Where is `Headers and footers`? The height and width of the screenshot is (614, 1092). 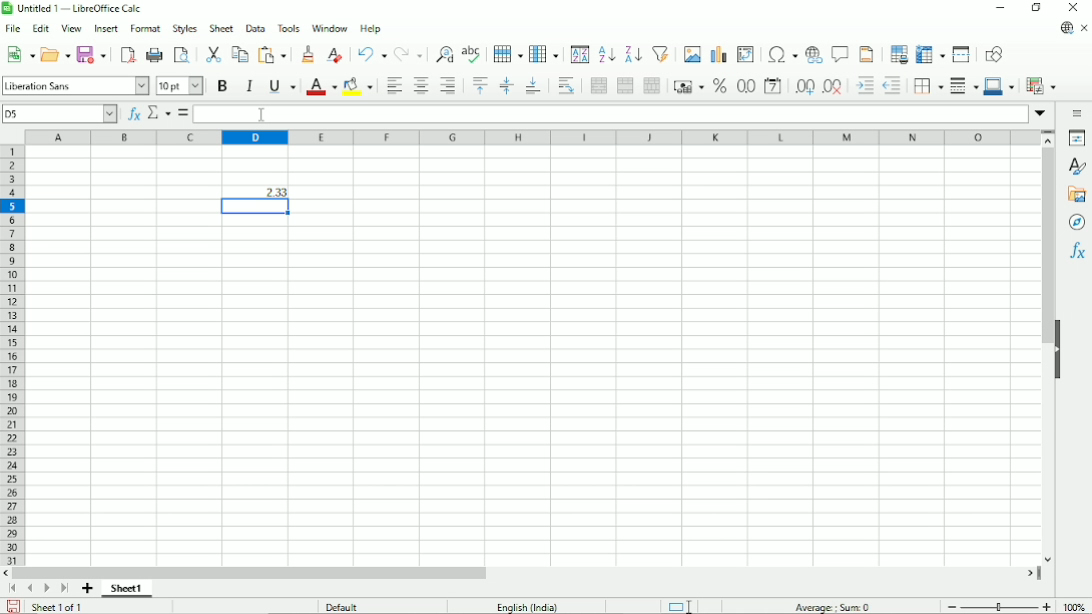 Headers and footers is located at coordinates (867, 54).